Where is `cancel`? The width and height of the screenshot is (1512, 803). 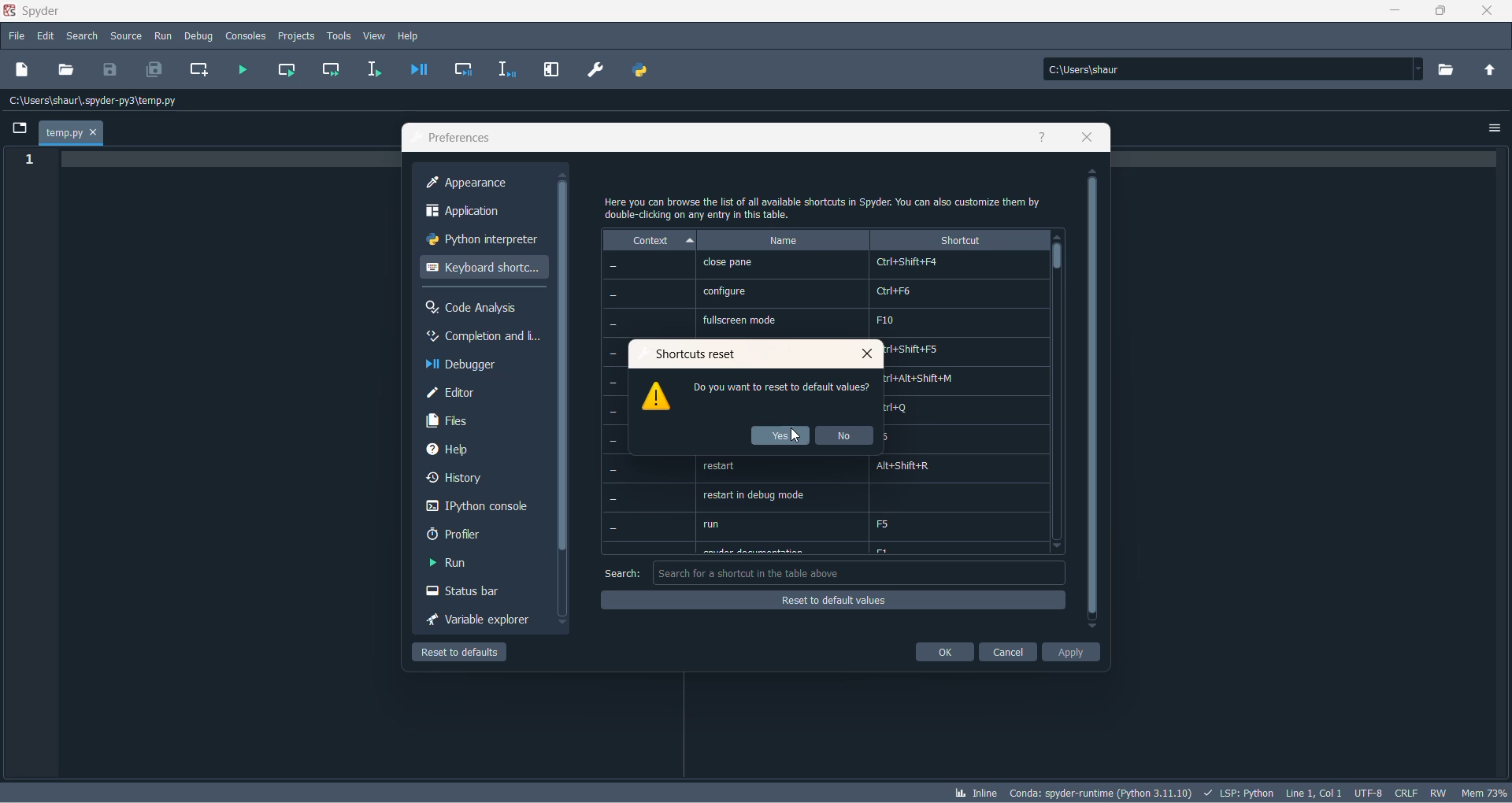
cancel is located at coordinates (1009, 653).